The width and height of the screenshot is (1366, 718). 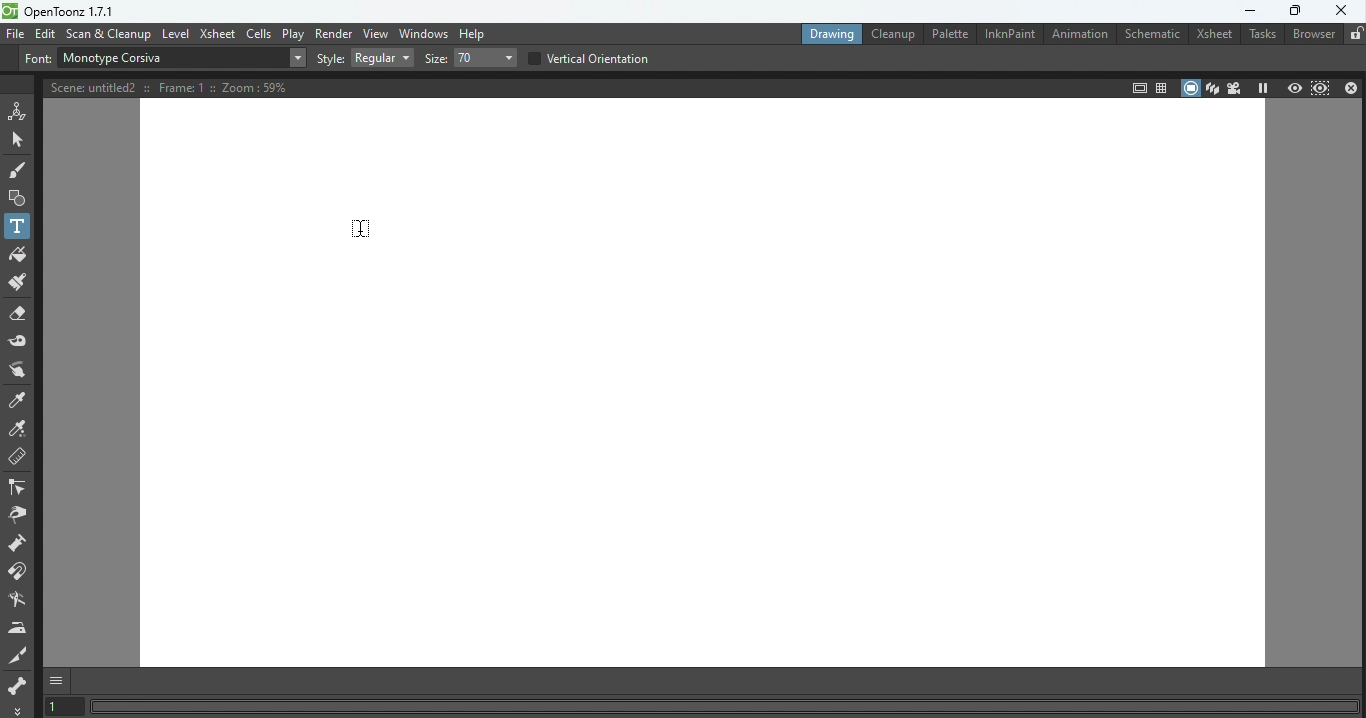 I want to click on Cursor, so click(x=359, y=229).